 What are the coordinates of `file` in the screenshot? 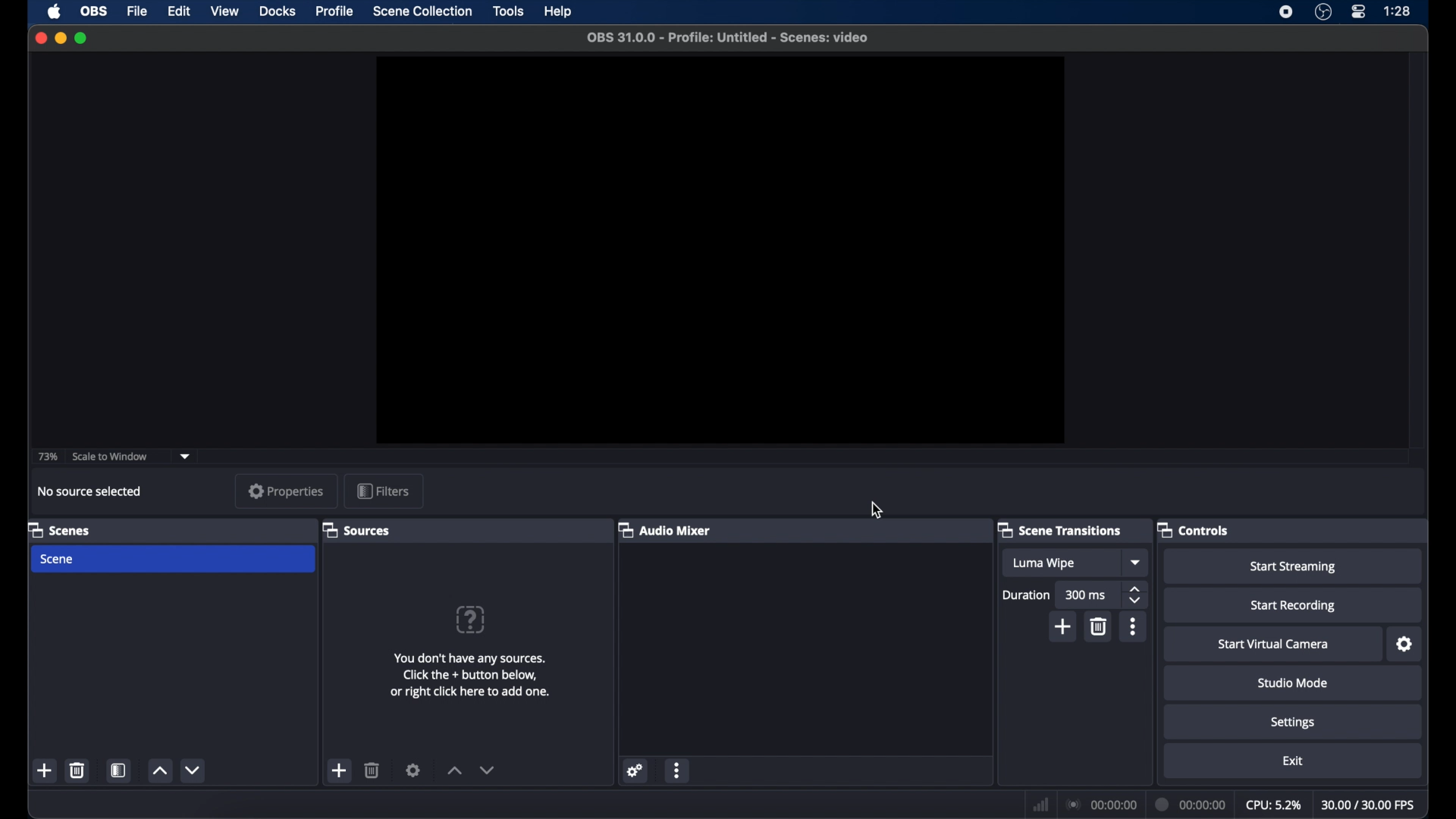 It's located at (136, 12).